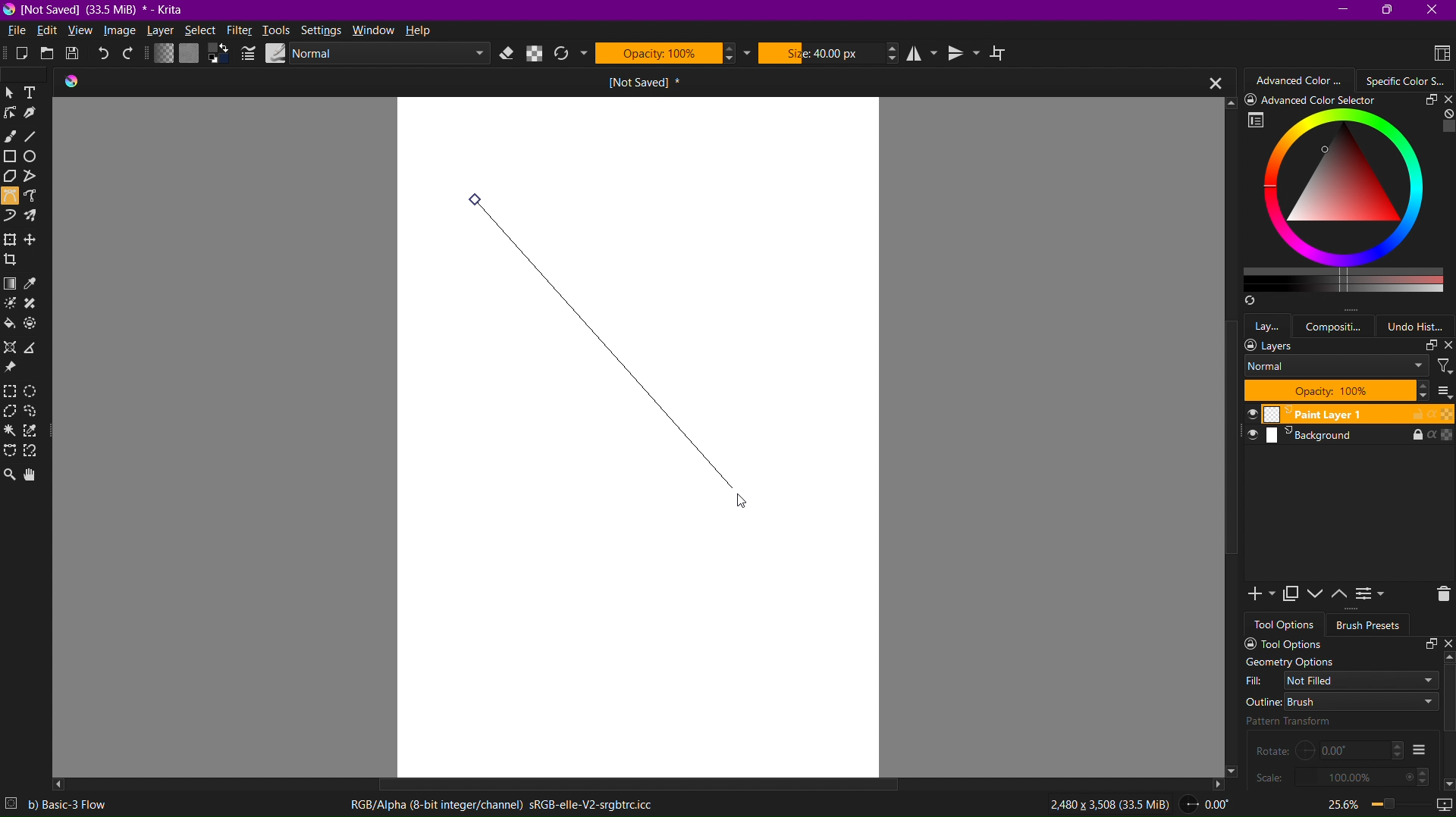 This screenshot has height=817, width=1456. Describe the element at coordinates (1289, 662) in the screenshot. I see `Geometry Options` at that location.